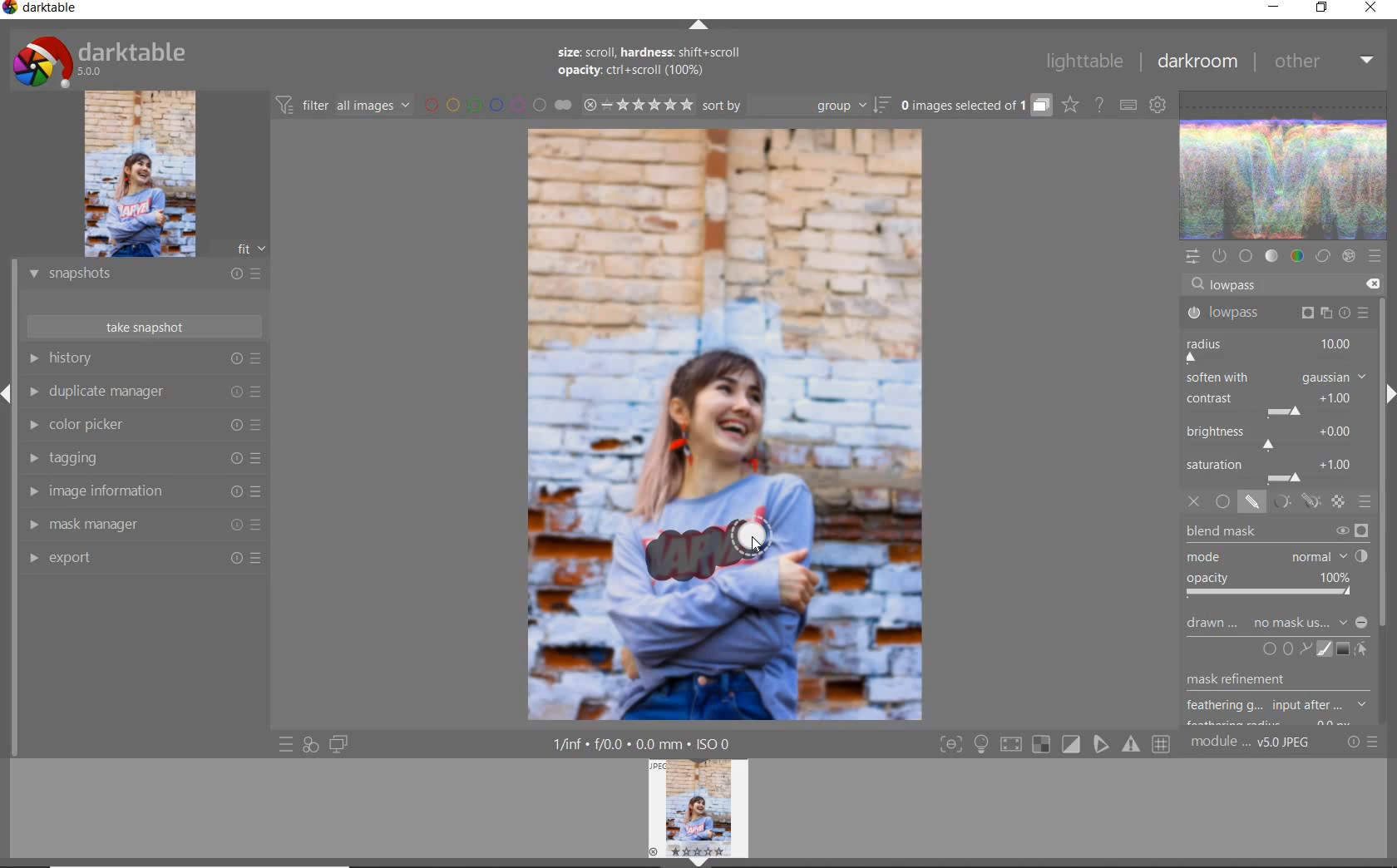 The width and height of the screenshot is (1397, 868). What do you see at coordinates (311, 744) in the screenshot?
I see `quick access for applying any of your styles` at bounding box center [311, 744].